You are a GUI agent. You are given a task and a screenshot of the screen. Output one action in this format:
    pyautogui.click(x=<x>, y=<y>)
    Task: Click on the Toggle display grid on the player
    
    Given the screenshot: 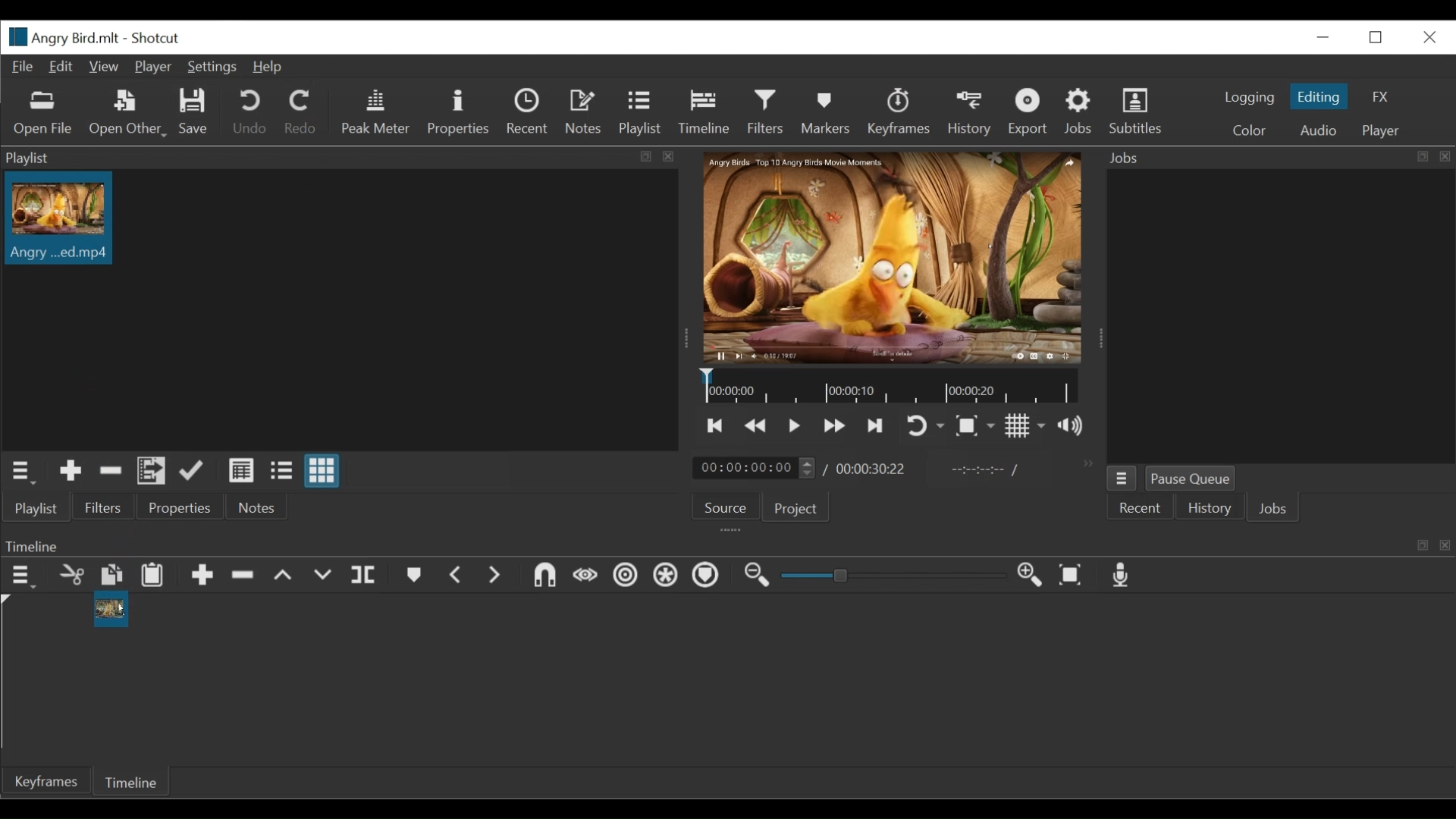 What is the action you would take?
    pyautogui.click(x=1025, y=425)
    